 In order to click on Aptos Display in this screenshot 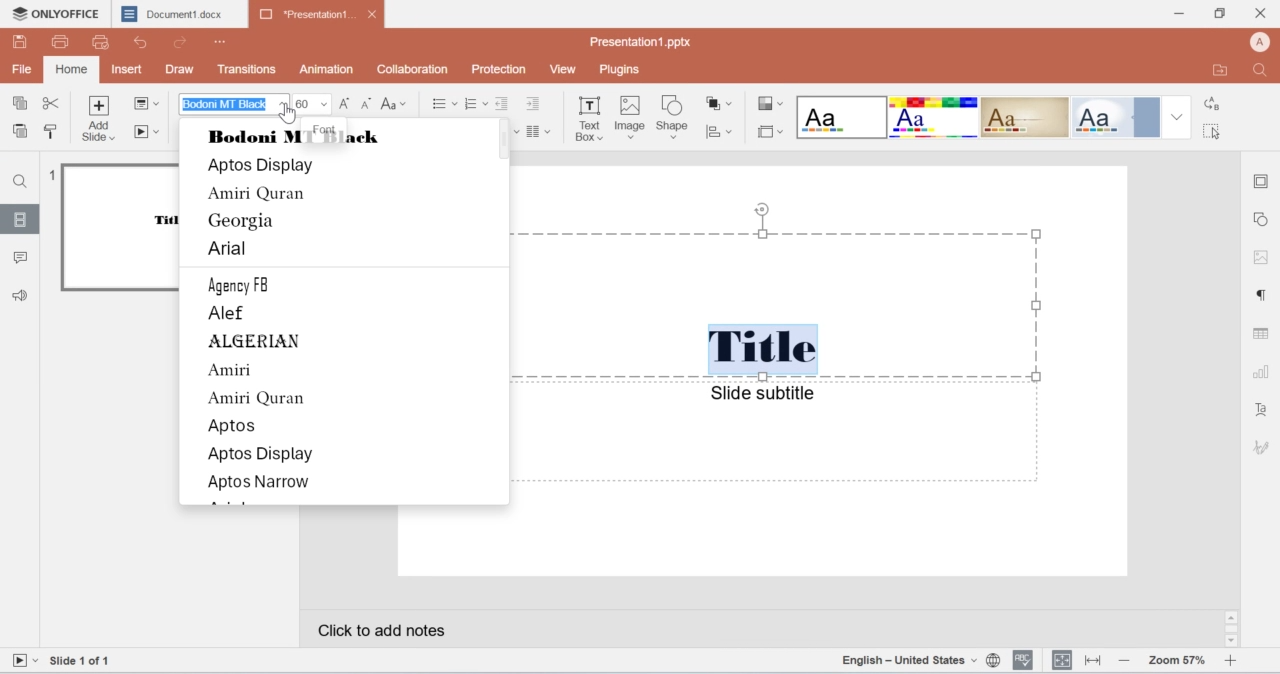, I will do `click(261, 456)`.